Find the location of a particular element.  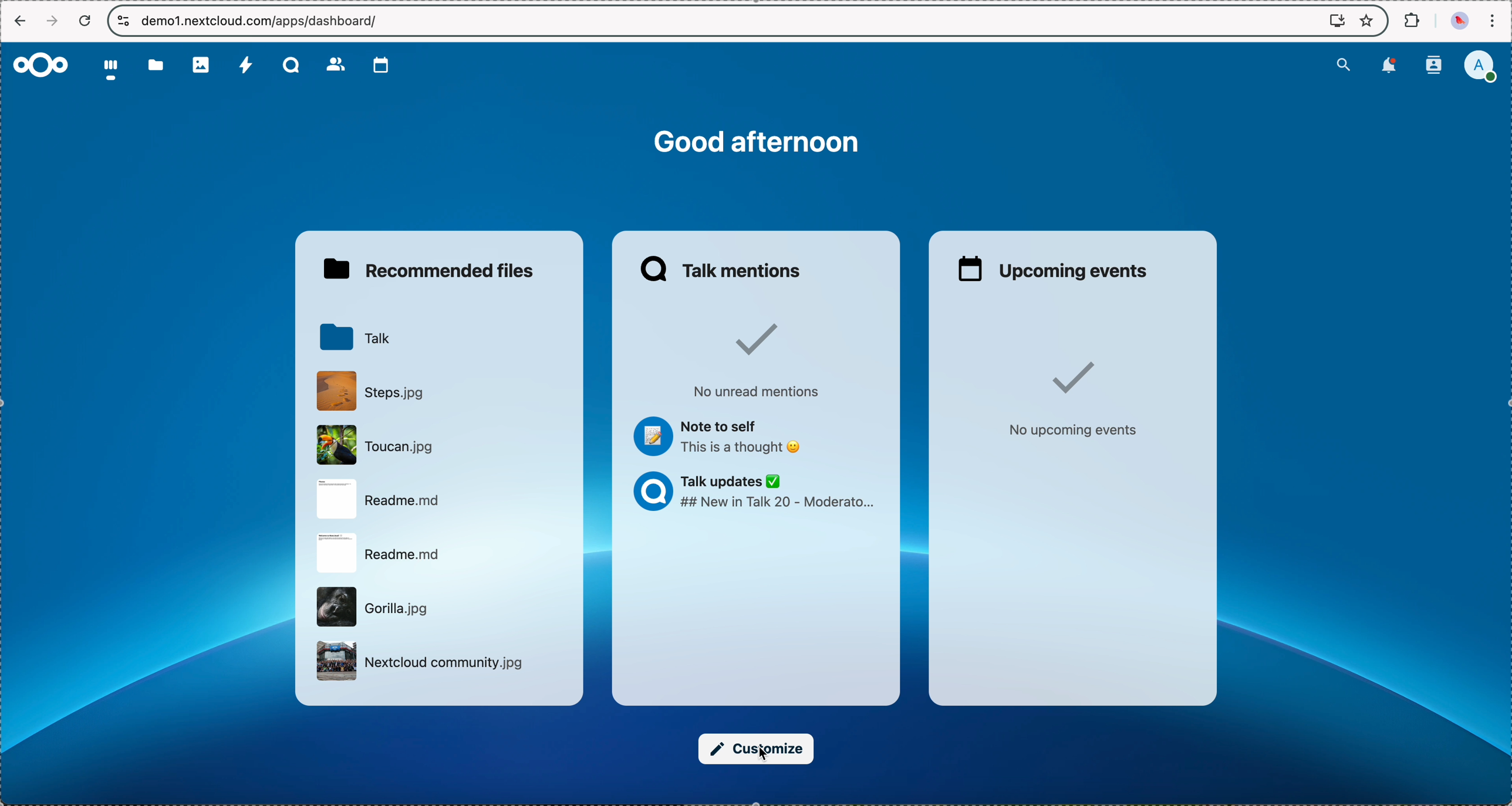

user profile is located at coordinates (1484, 66).